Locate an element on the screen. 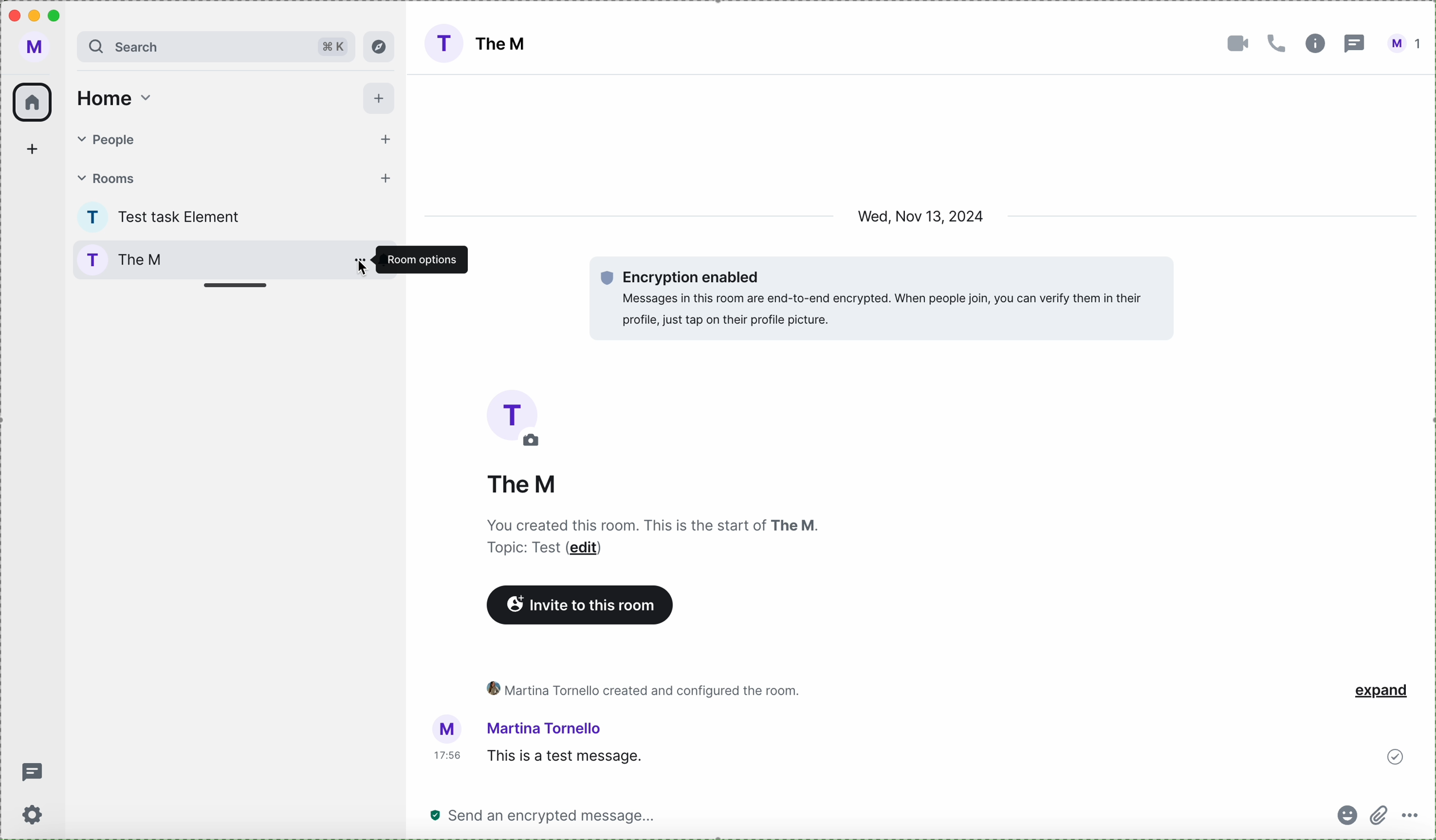 The width and height of the screenshot is (1436, 840). more options is located at coordinates (1410, 815).